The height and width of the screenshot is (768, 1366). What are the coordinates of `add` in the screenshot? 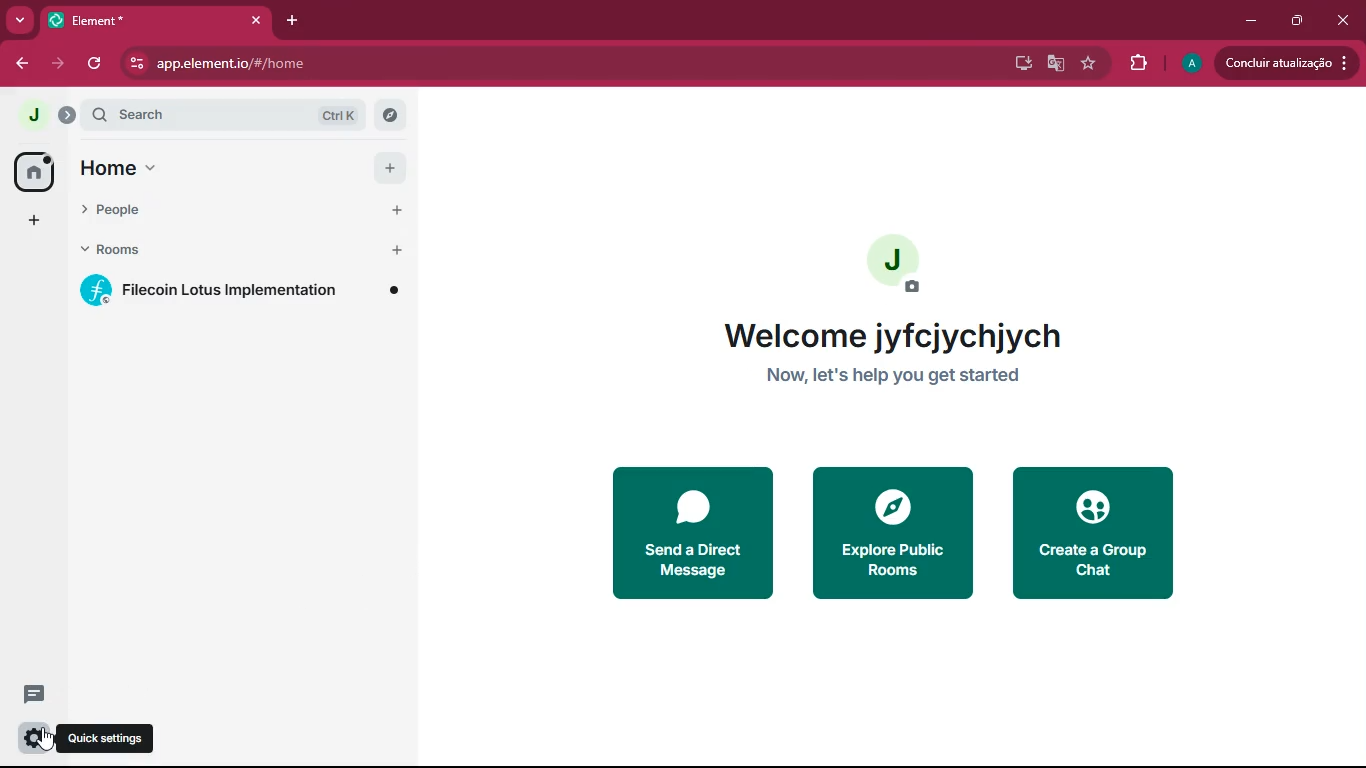 It's located at (384, 252).